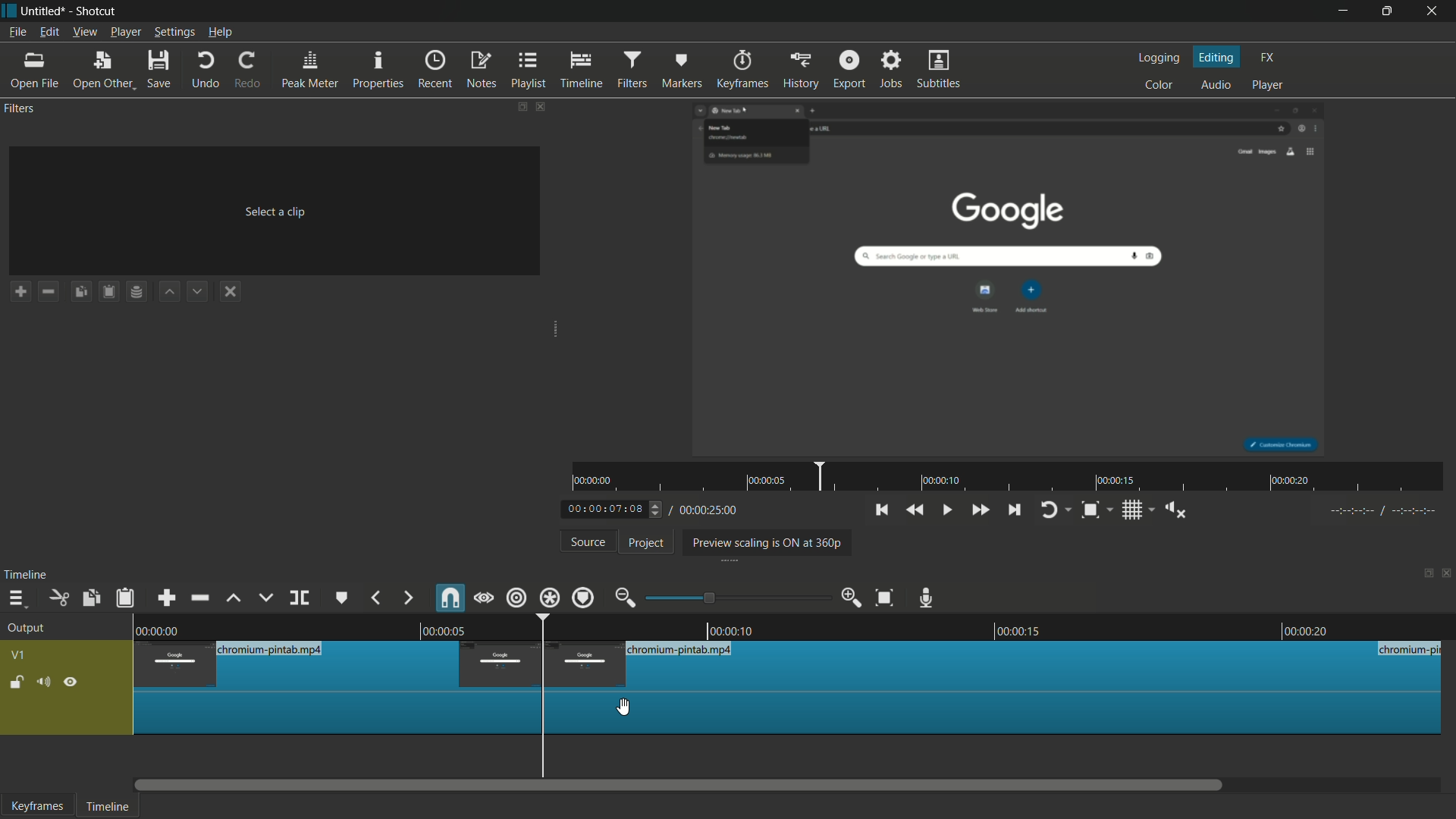 This screenshot has height=819, width=1456. What do you see at coordinates (1134, 510) in the screenshot?
I see `toggle grid` at bounding box center [1134, 510].